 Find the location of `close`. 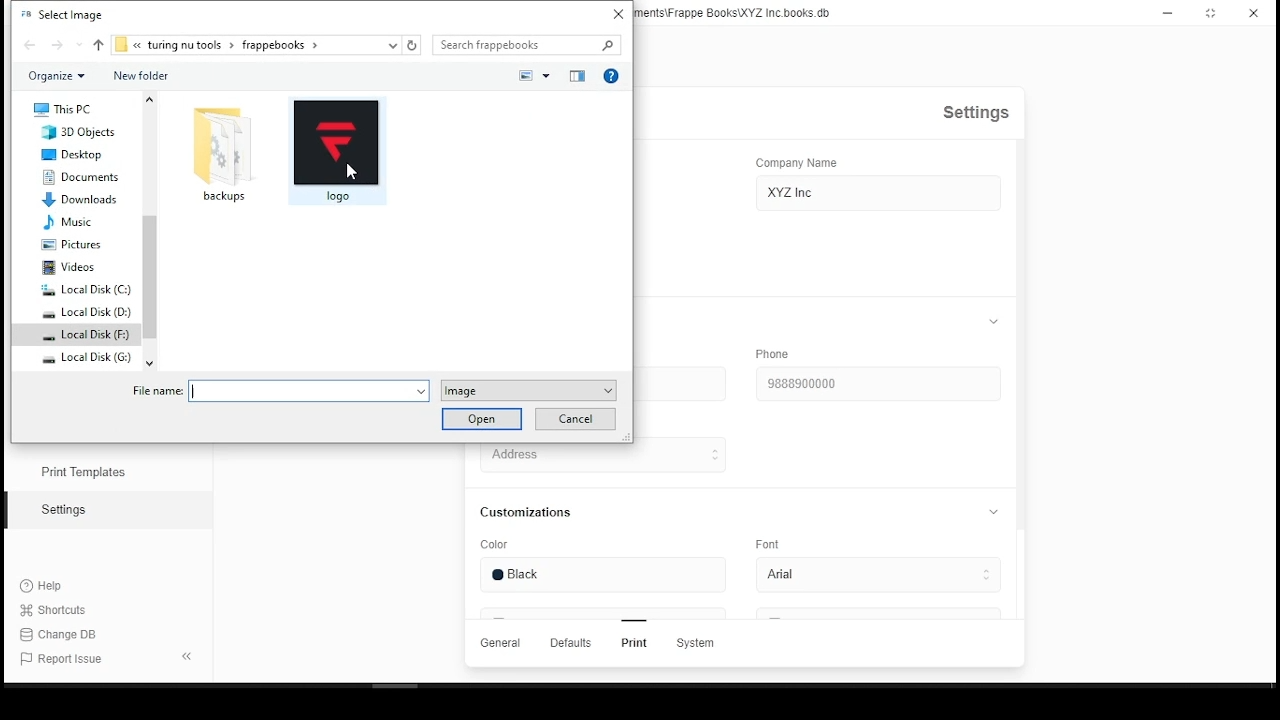

close is located at coordinates (618, 13).